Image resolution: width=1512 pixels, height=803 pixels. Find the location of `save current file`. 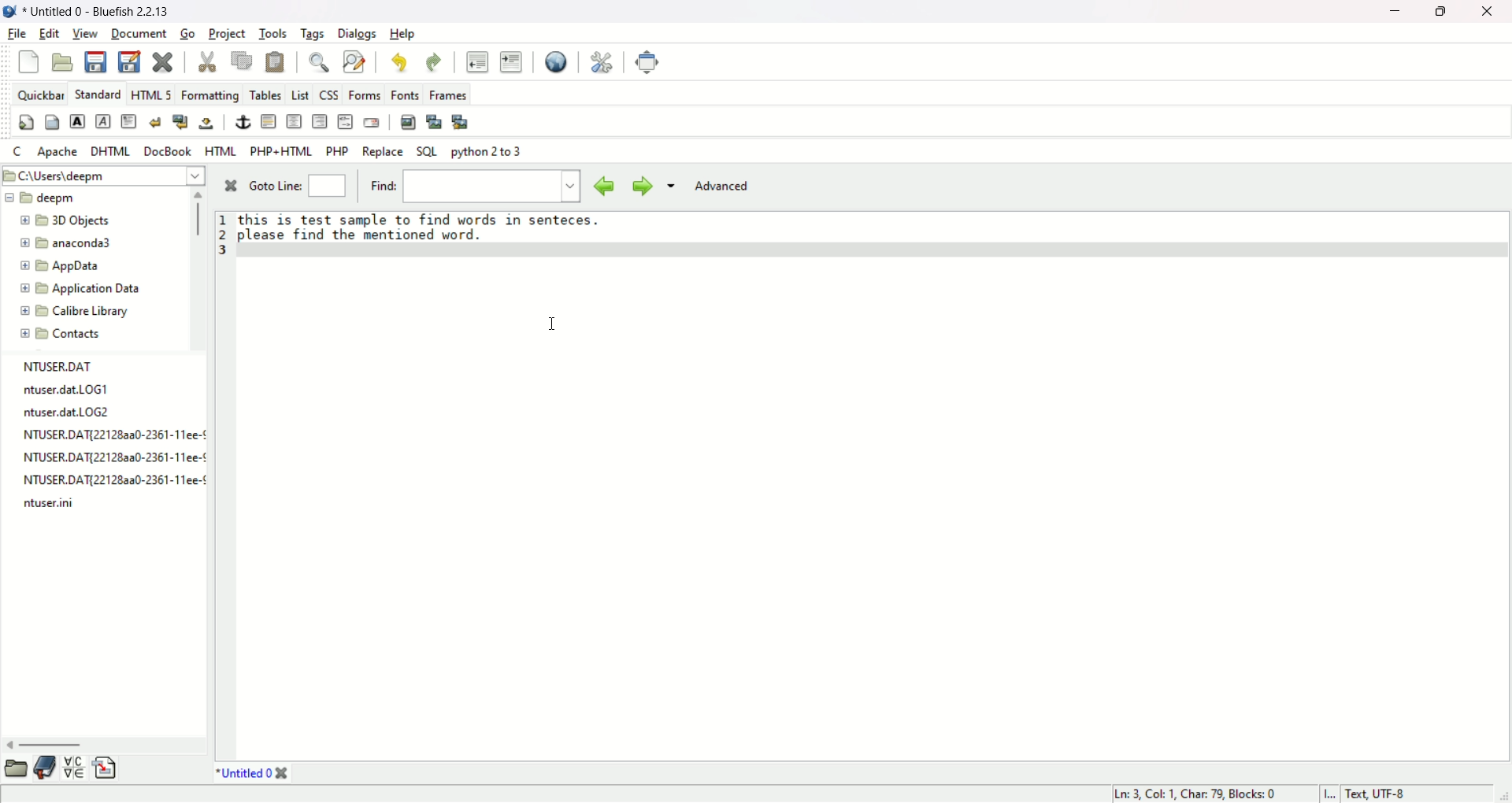

save current file is located at coordinates (95, 61).